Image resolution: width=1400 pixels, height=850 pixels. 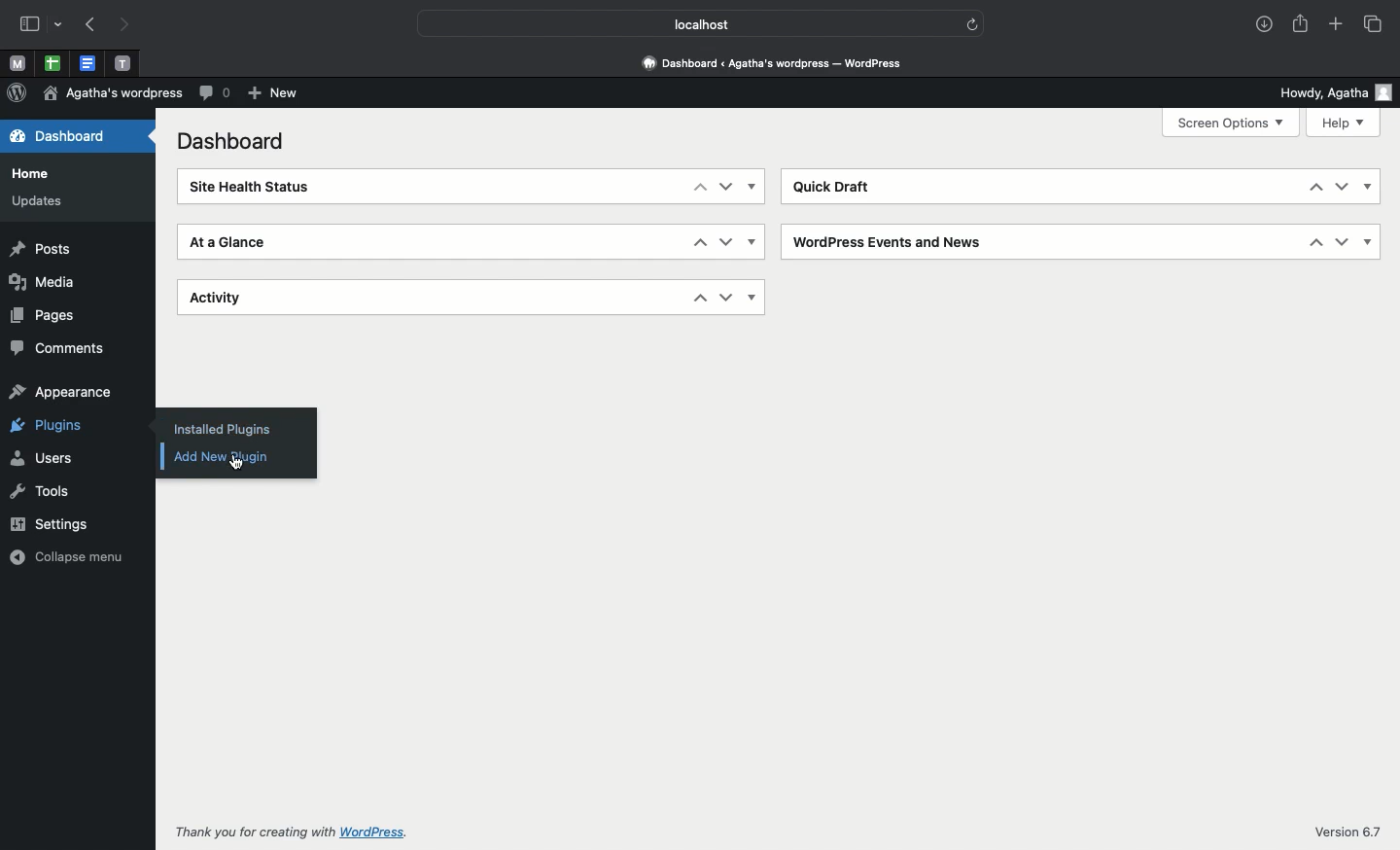 What do you see at coordinates (272, 92) in the screenshot?
I see `New` at bounding box center [272, 92].